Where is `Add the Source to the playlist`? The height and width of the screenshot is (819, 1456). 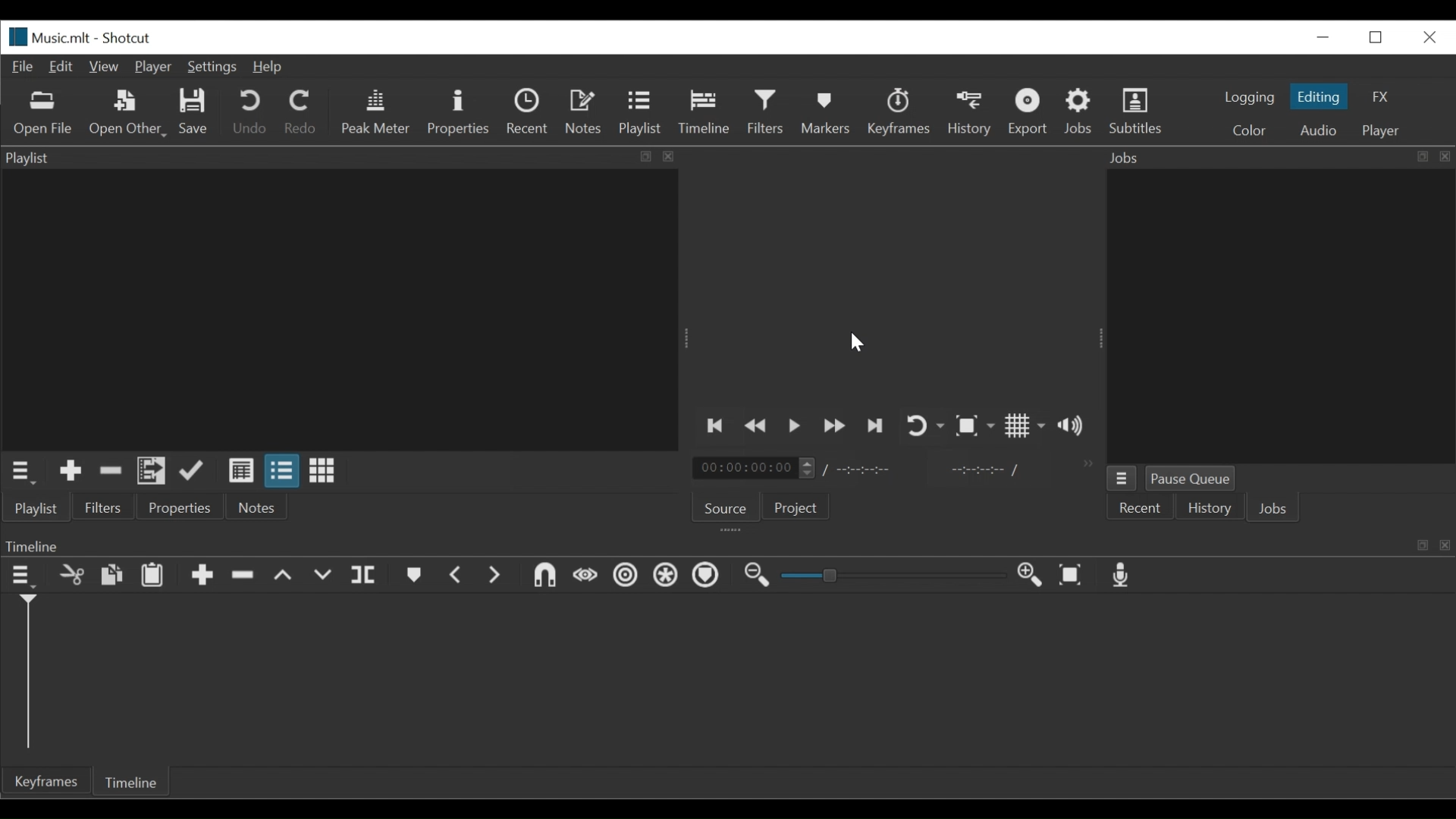
Add the Source to the playlist is located at coordinates (71, 471).